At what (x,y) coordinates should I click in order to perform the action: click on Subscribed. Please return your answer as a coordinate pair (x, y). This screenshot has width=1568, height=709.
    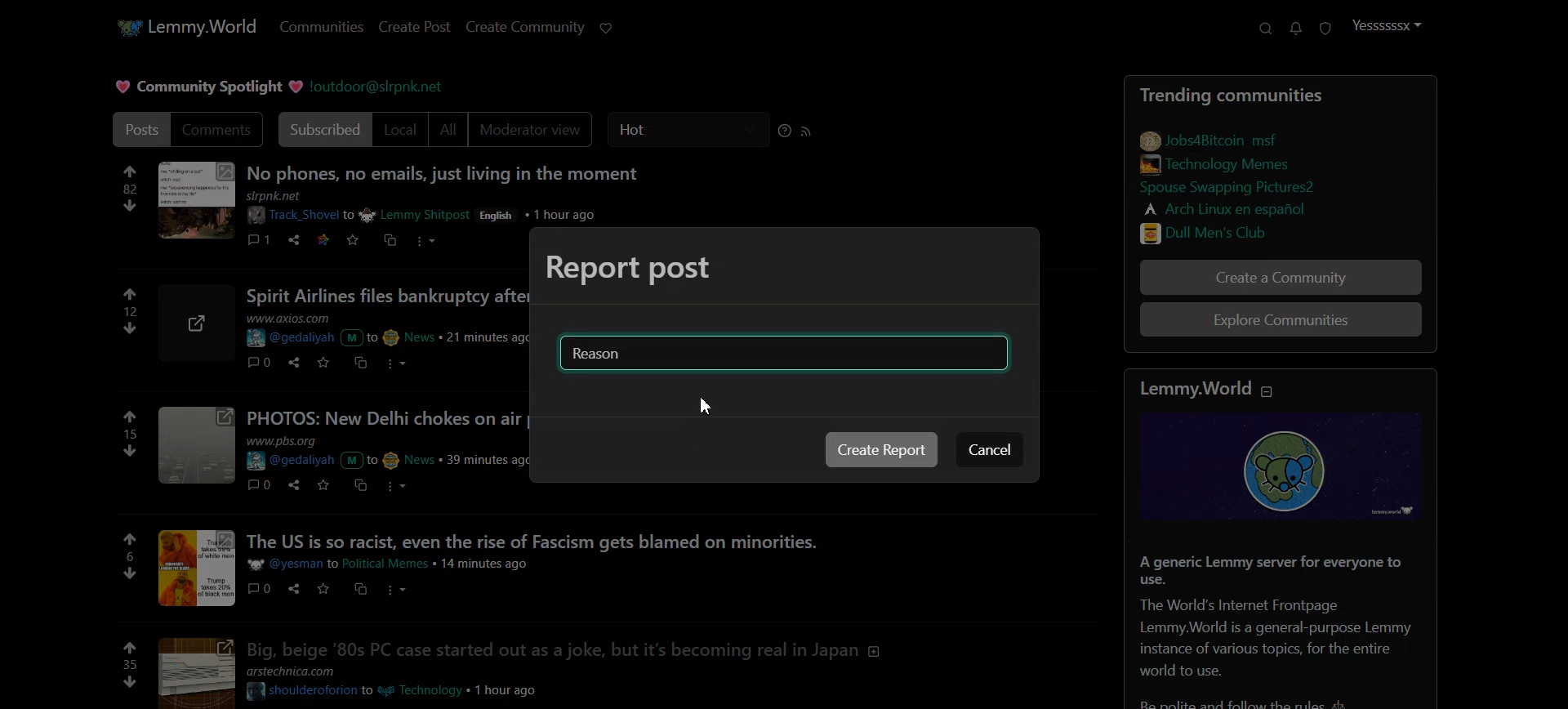
    Looking at the image, I should click on (322, 130).